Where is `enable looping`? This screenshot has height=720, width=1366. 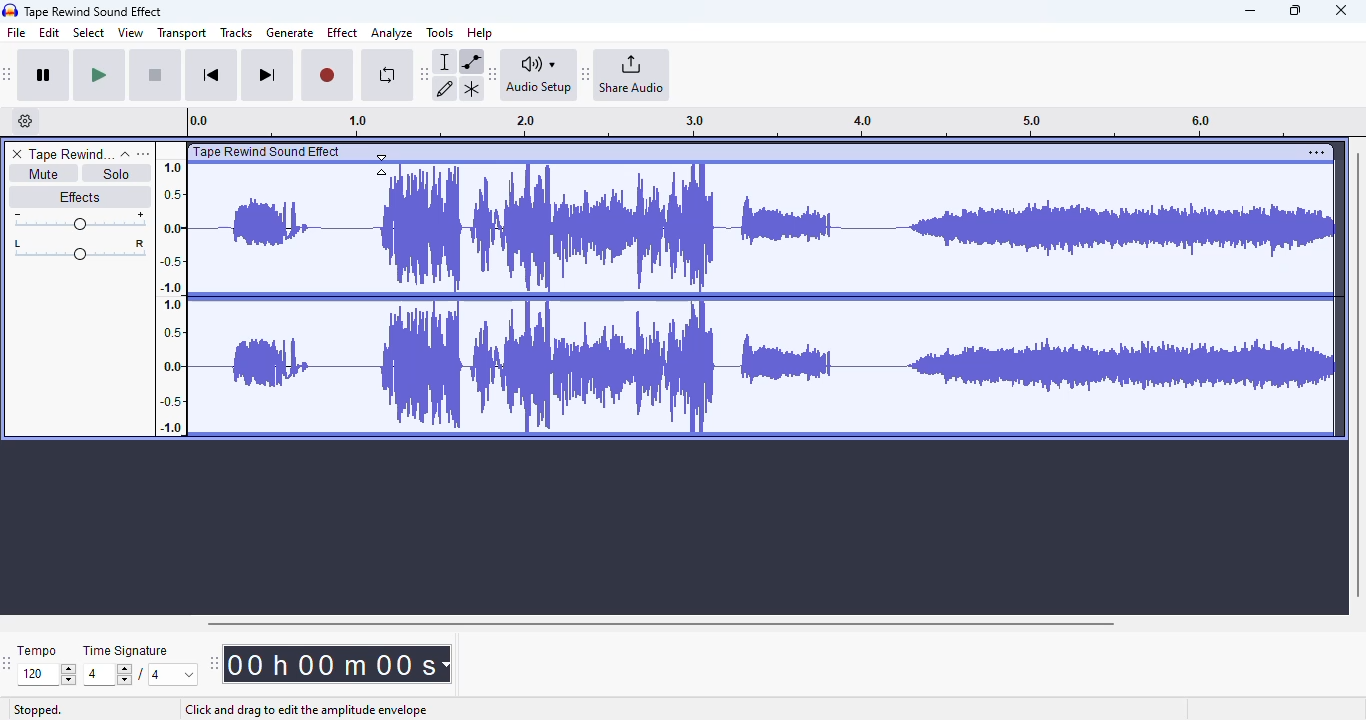
enable looping is located at coordinates (386, 75).